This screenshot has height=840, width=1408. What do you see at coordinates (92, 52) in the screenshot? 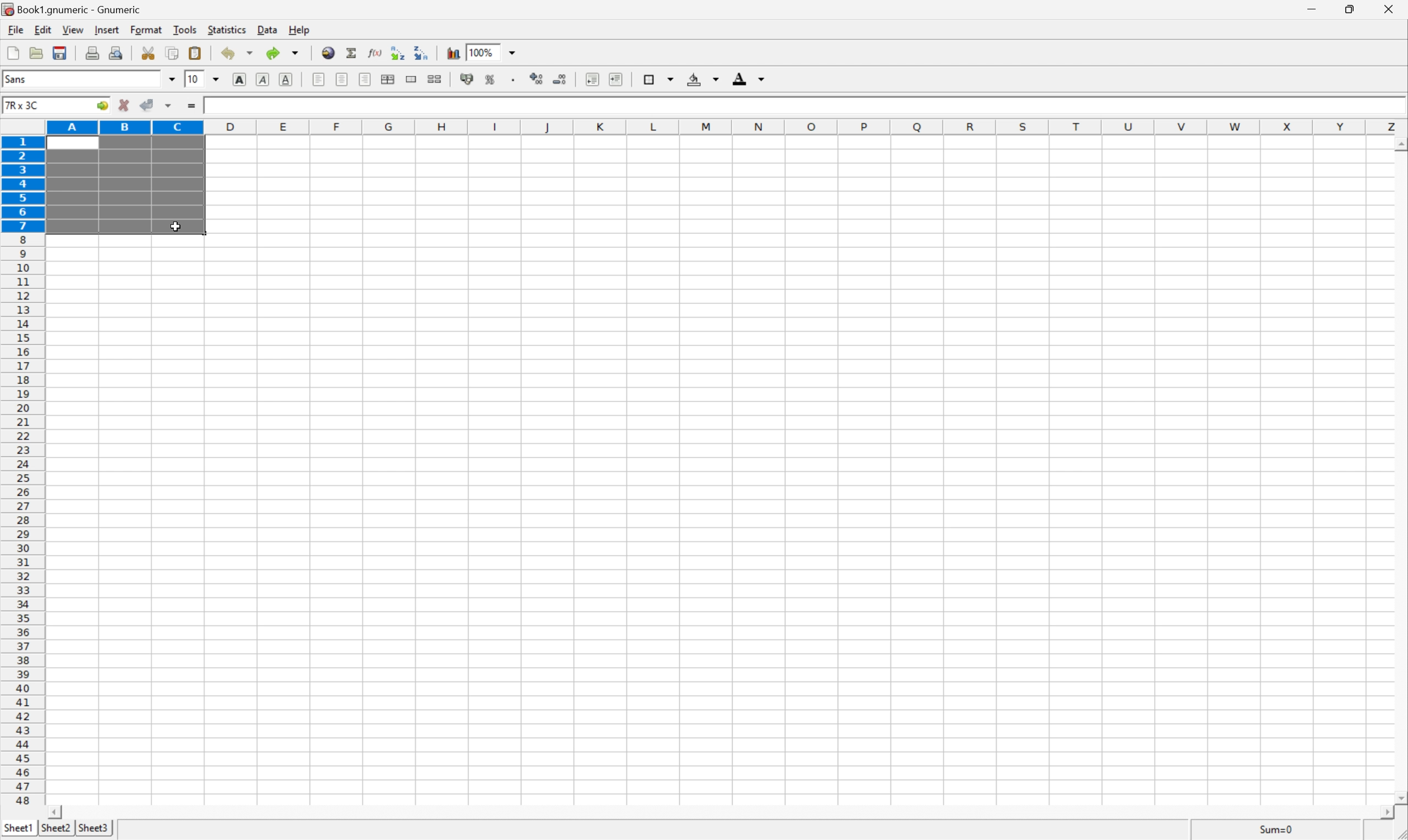
I see `print` at bounding box center [92, 52].